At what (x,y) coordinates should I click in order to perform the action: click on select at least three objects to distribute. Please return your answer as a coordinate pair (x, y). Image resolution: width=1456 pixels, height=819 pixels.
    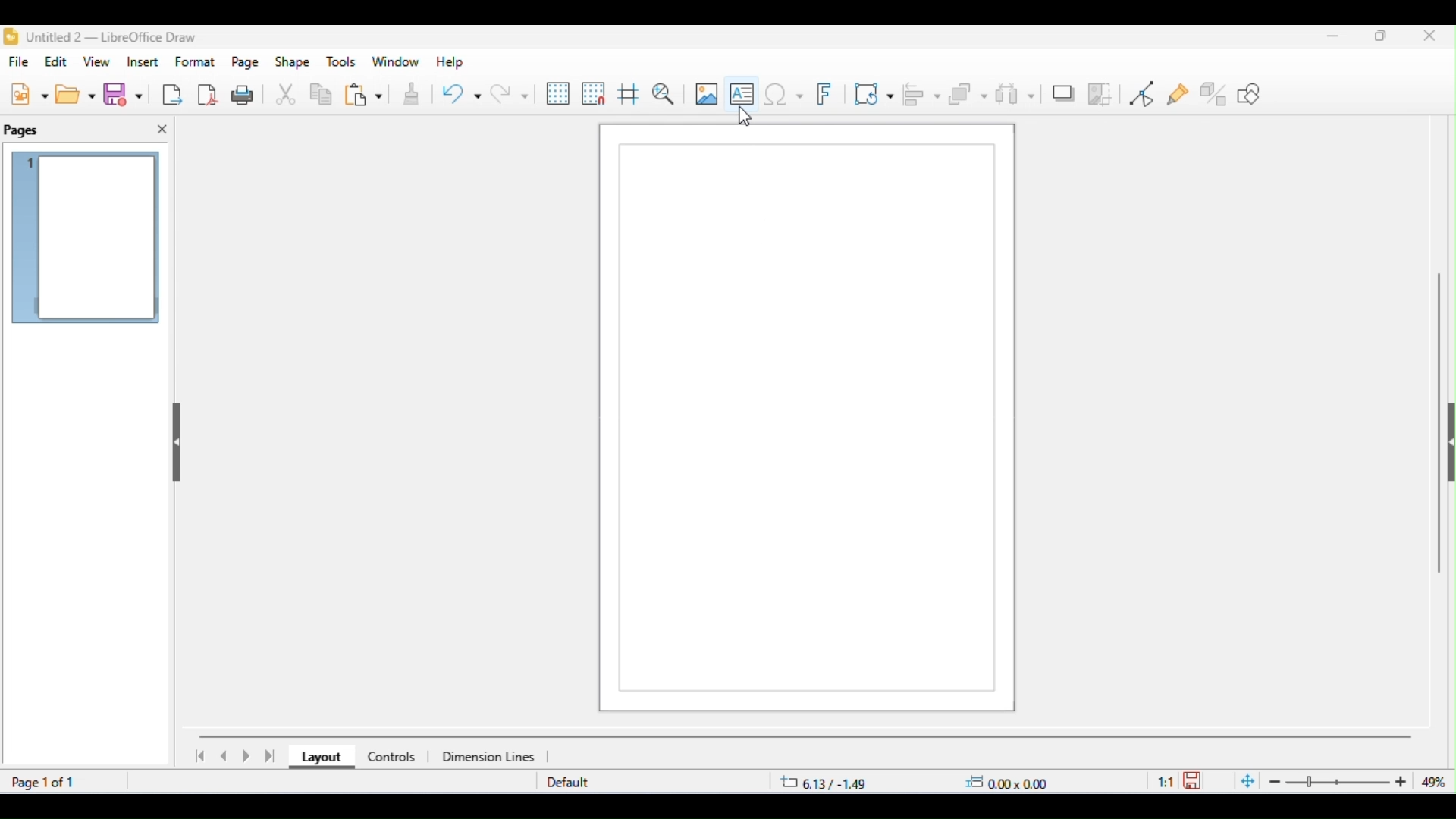
    Looking at the image, I should click on (1015, 93).